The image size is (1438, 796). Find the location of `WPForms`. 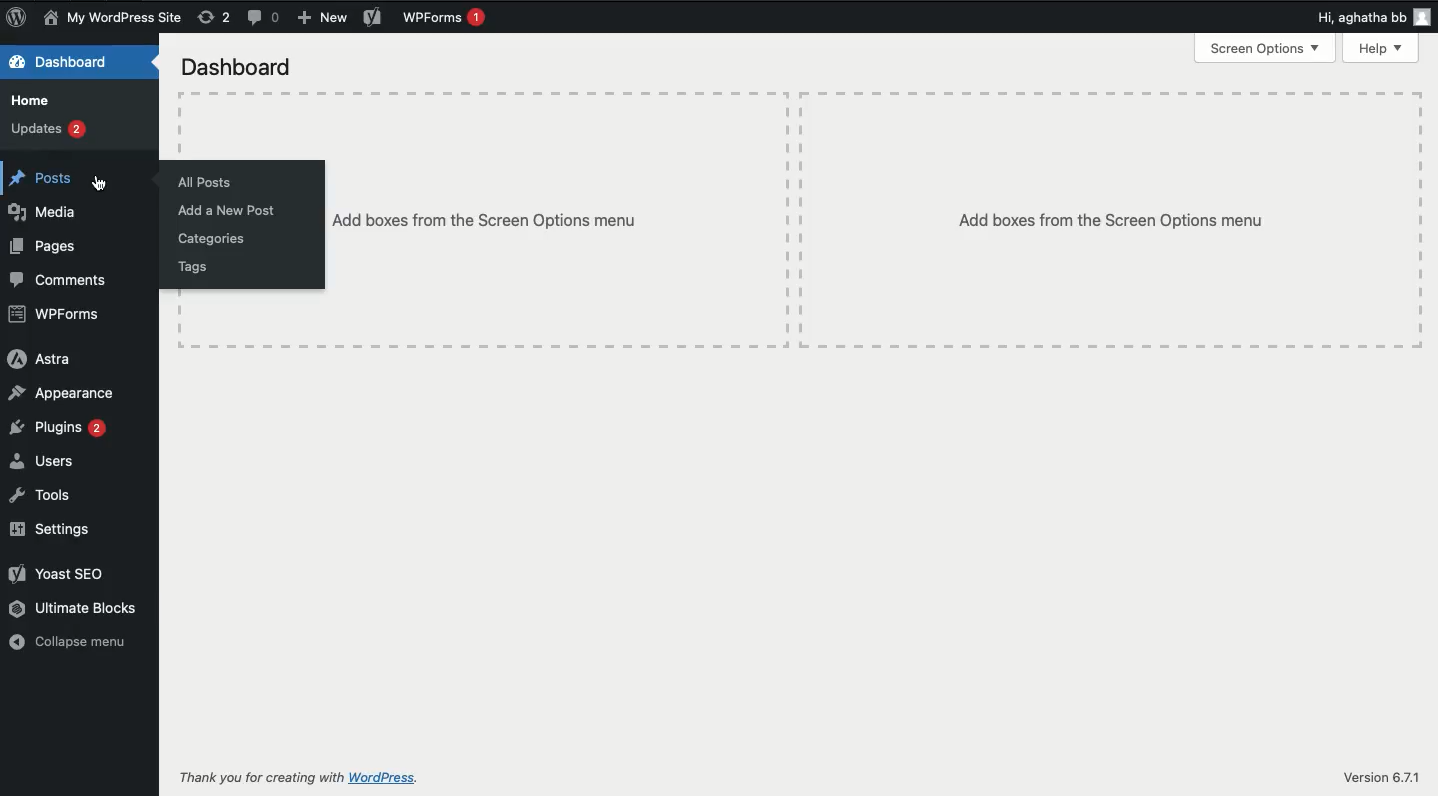

WPForms is located at coordinates (443, 18).